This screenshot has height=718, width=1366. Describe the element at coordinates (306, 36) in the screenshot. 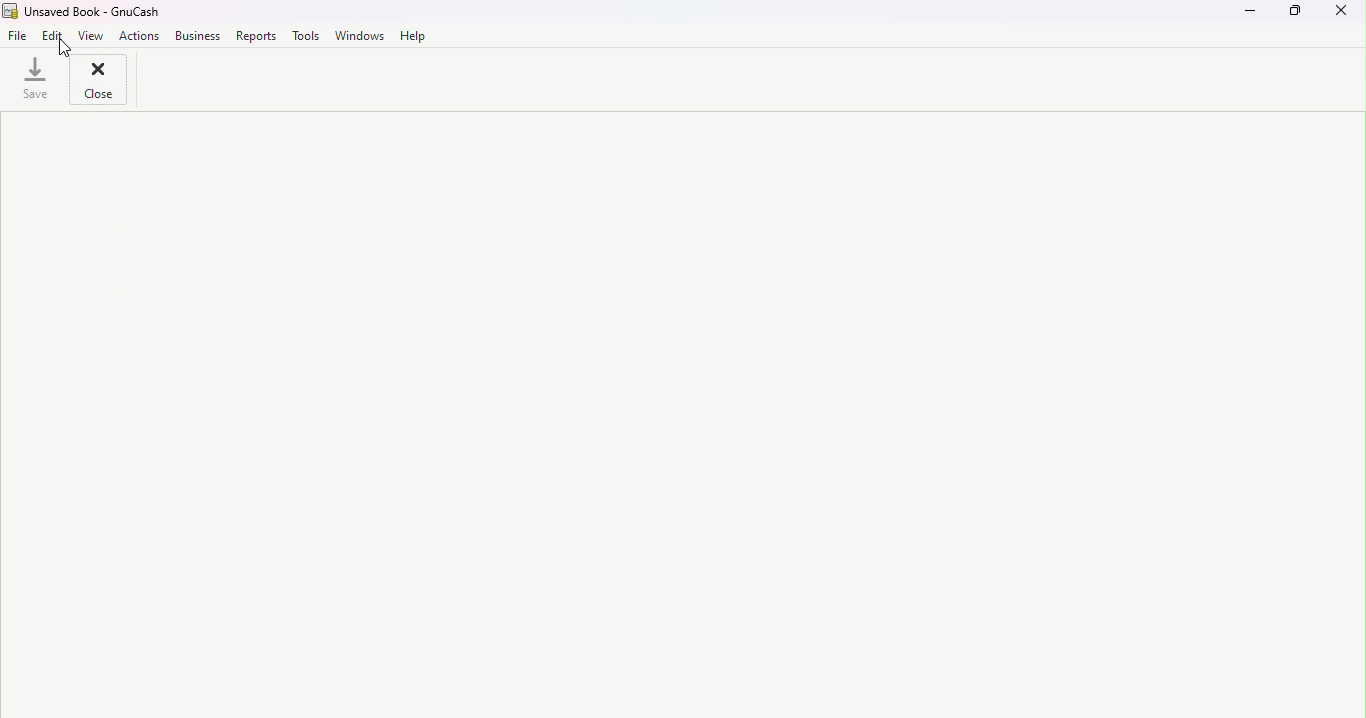

I see `Tools` at that location.